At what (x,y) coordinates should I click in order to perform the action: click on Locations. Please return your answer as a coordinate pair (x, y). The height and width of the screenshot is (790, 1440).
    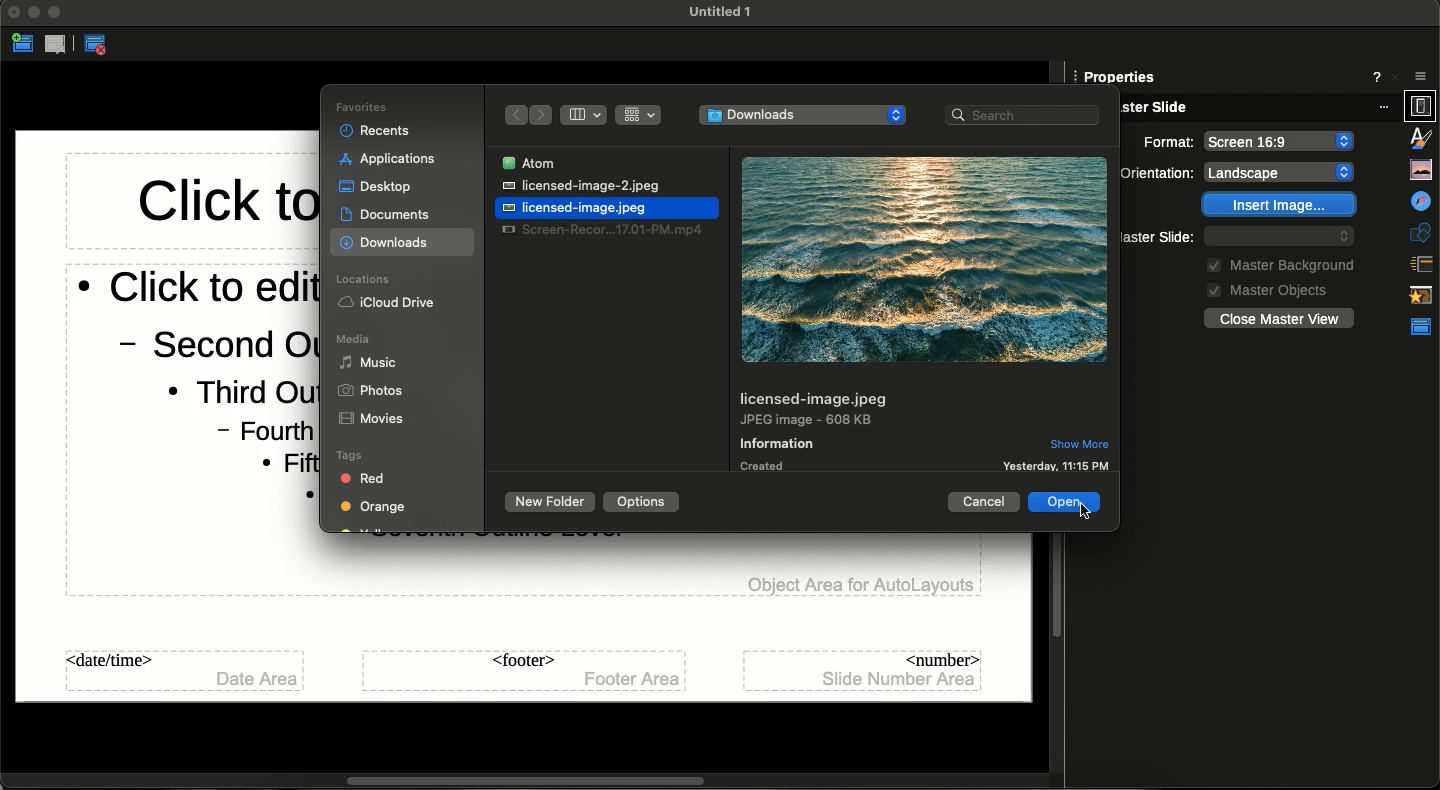
    Looking at the image, I should click on (361, 278).